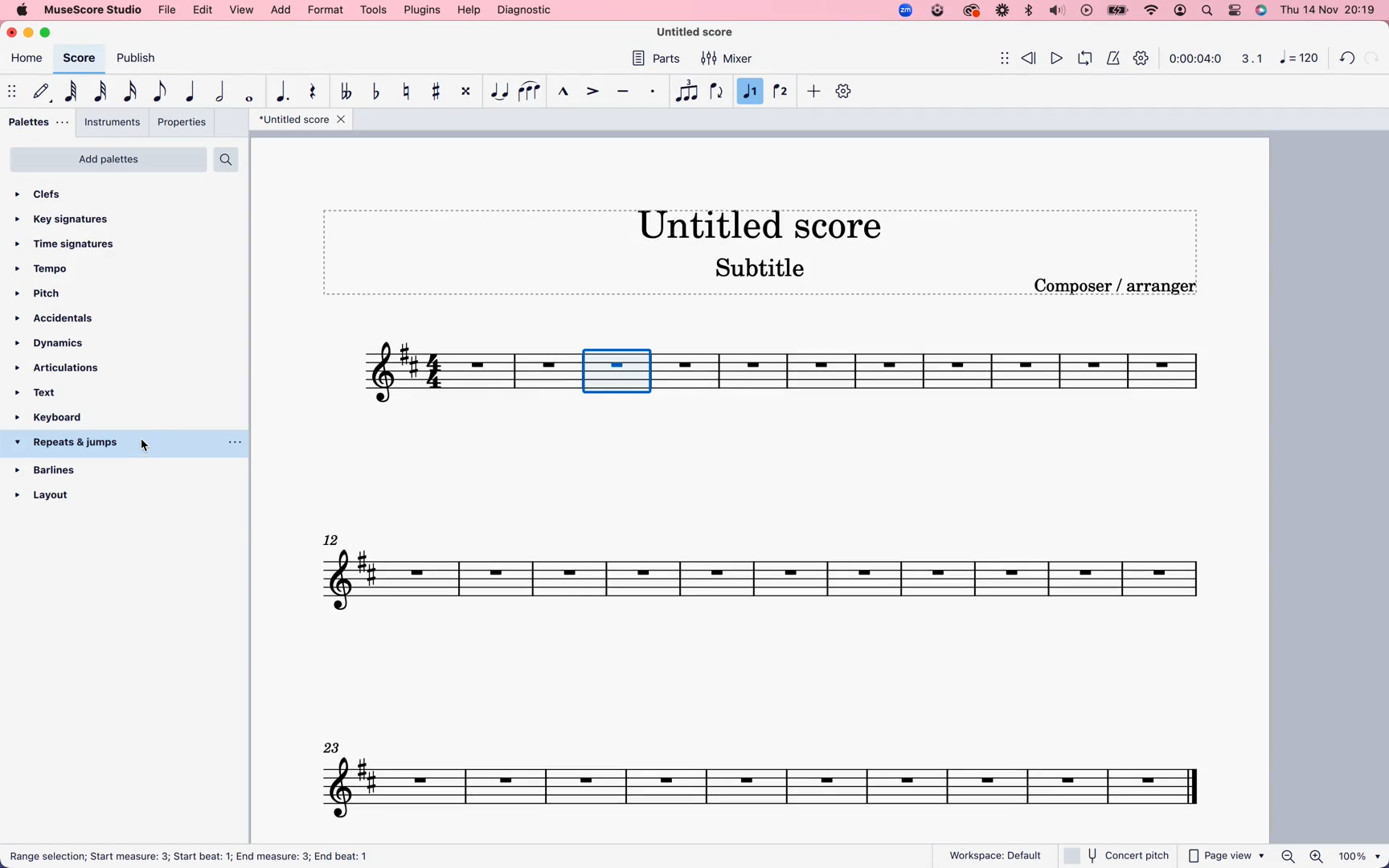 This screenshot has height=868, width=1389. I want to click on voice 1, so click(750, 92).